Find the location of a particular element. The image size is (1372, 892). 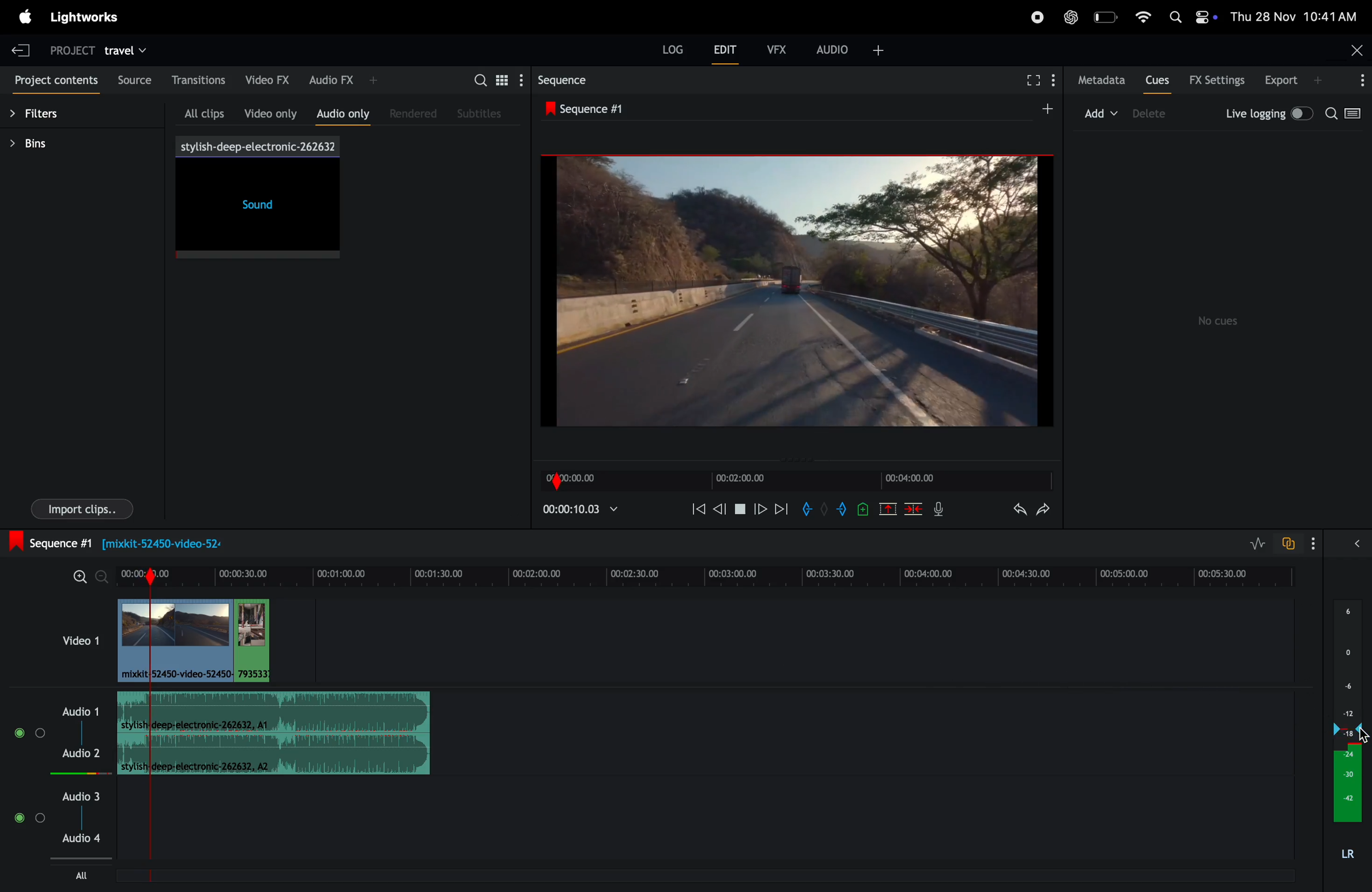

Solo track is located at coordinates (45, 735).